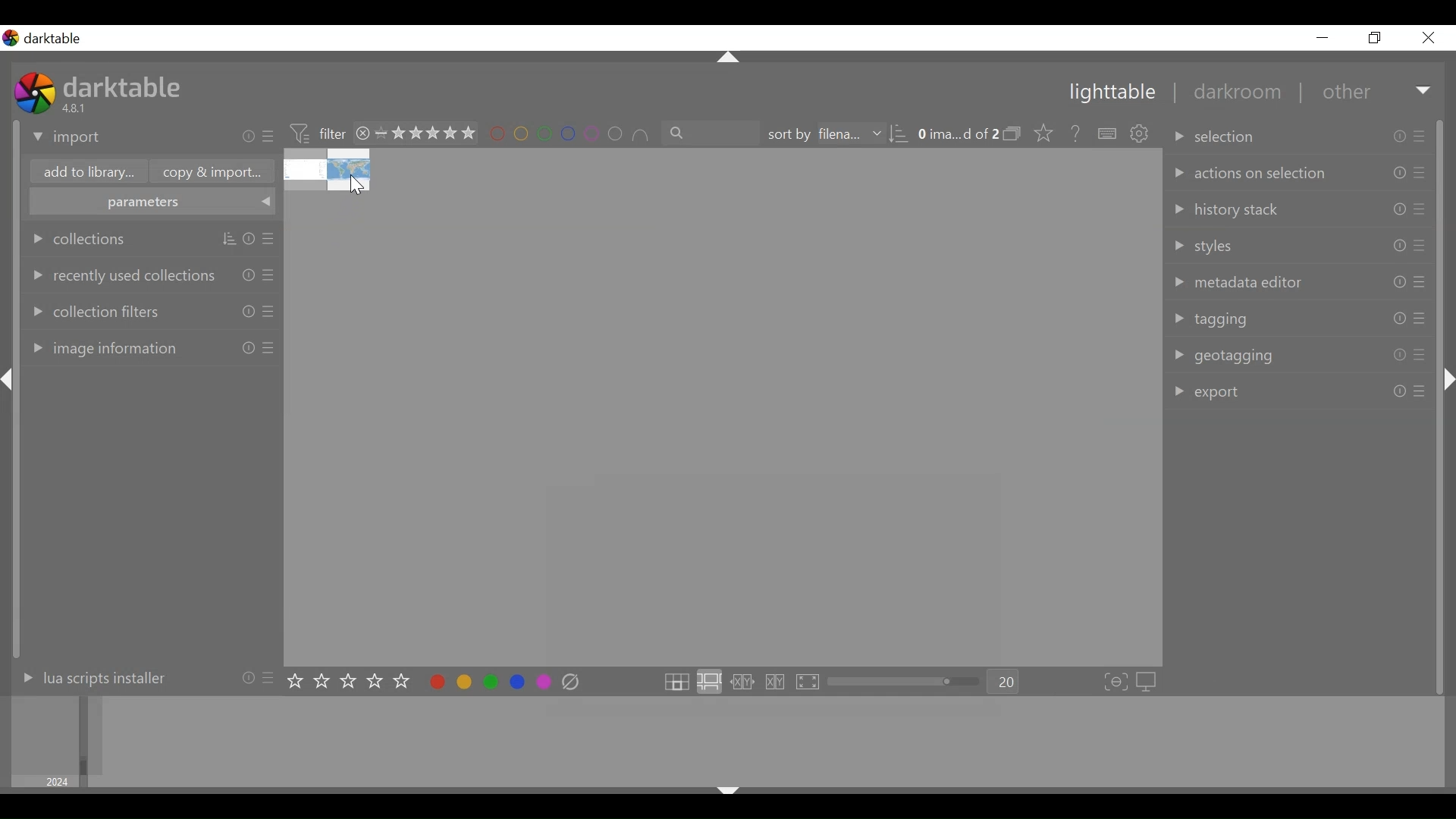  What do you see at coordinates (1258, 174) in the screenshot?
I see `action on selection` at bounding box center [1258, 174].